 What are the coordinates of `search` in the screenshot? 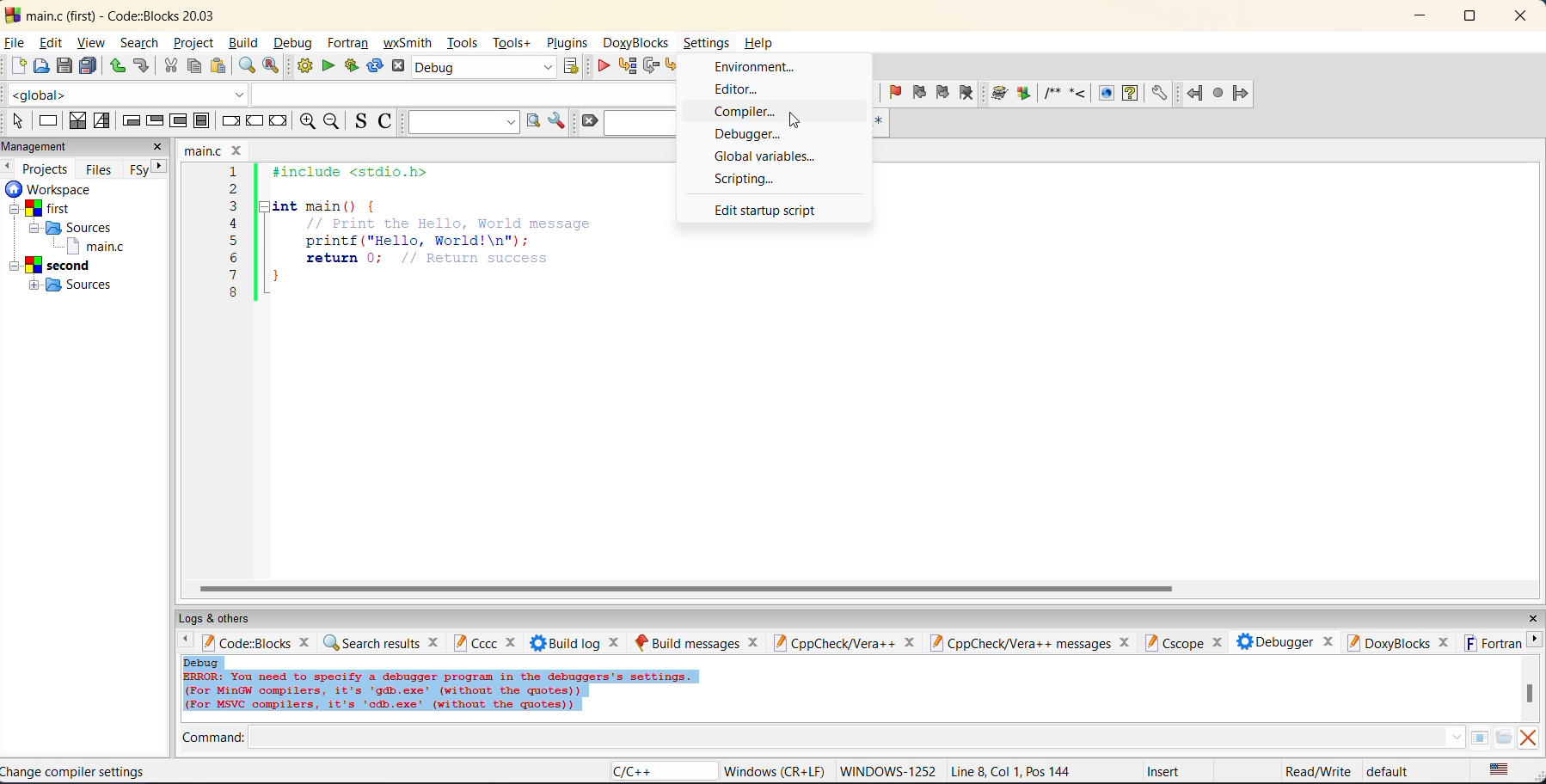 It's located at (142, 42).